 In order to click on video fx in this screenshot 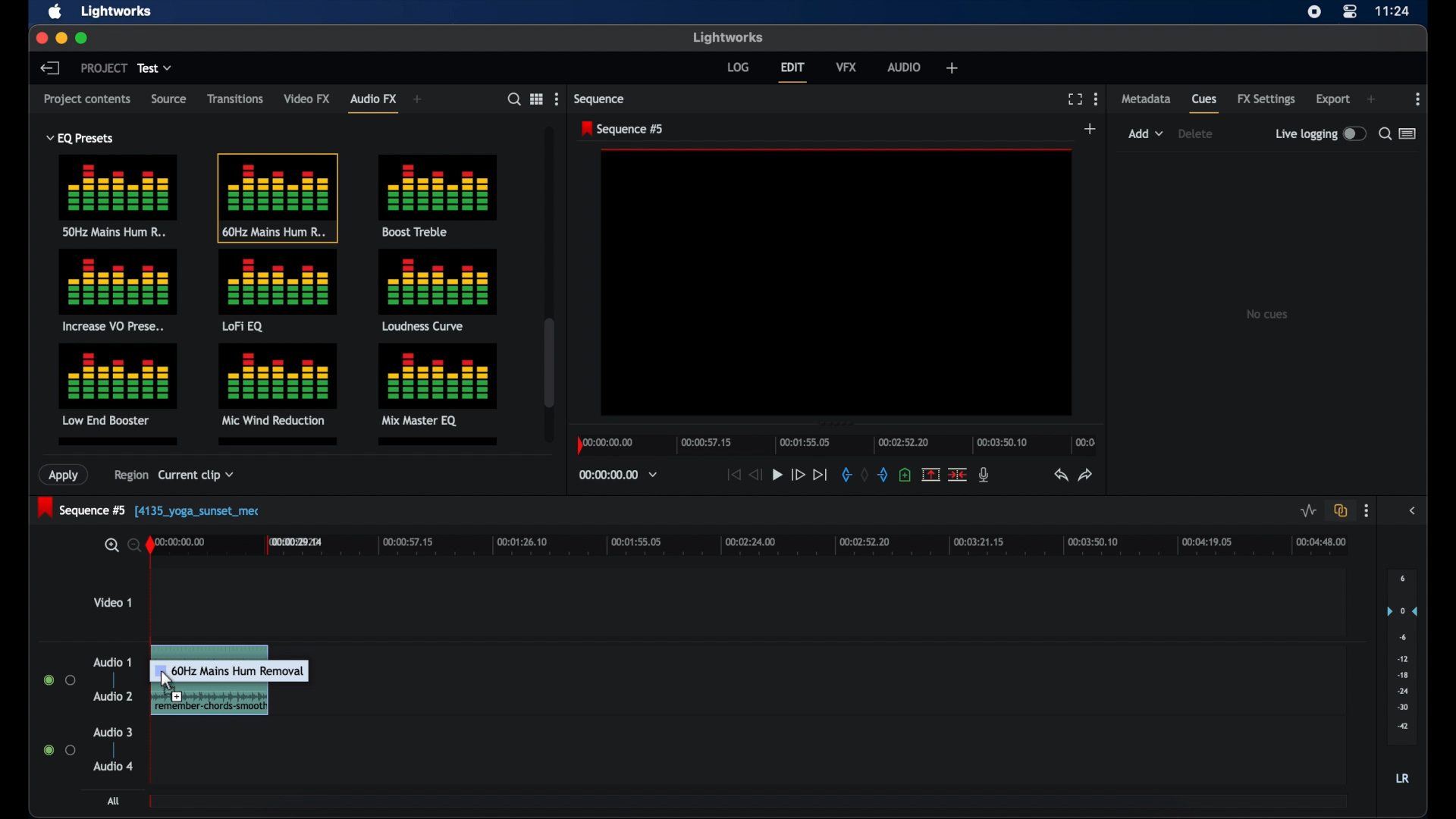, I will do `click(308, 99)`.